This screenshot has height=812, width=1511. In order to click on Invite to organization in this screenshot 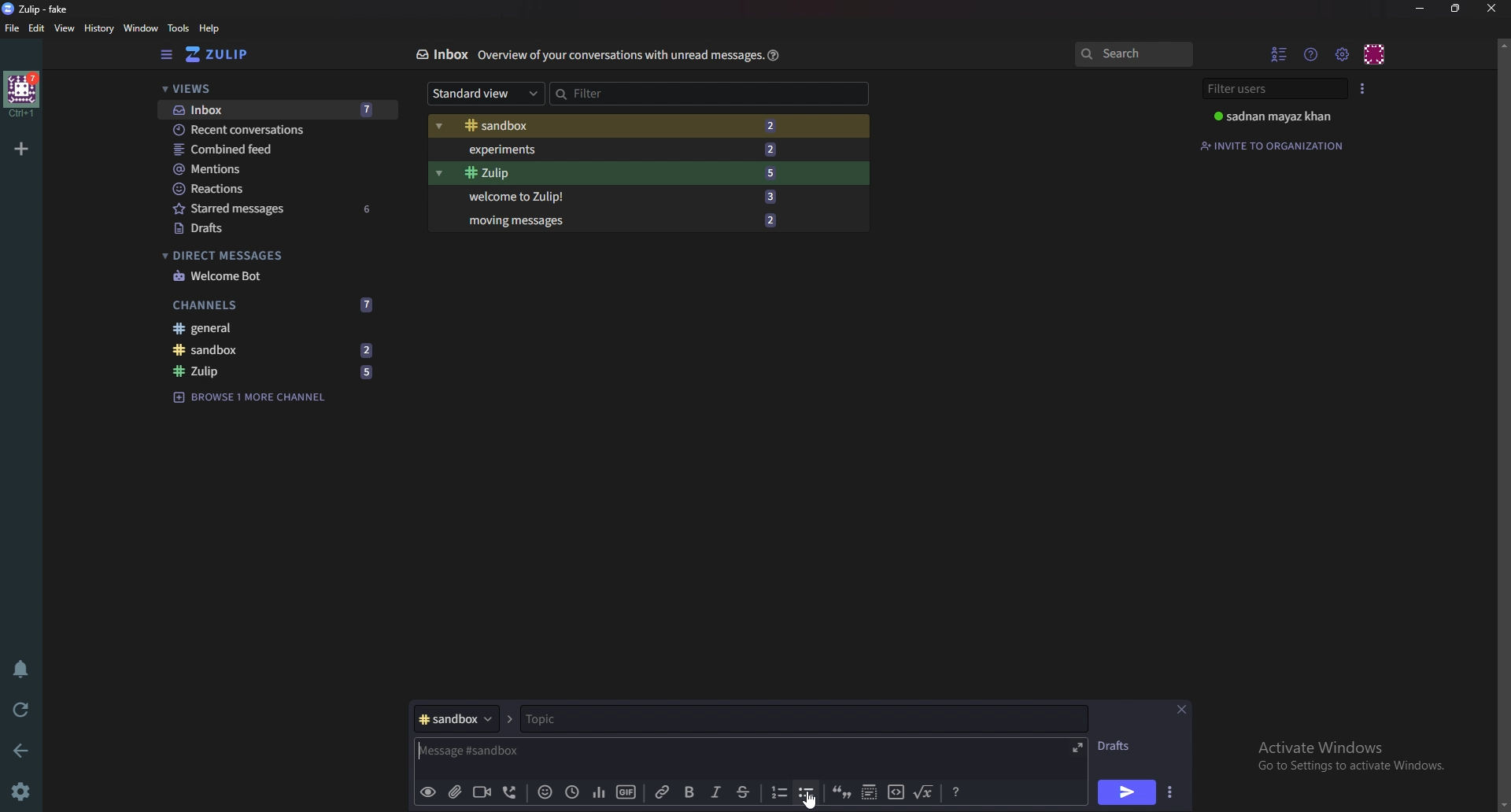, I will do `click(1274, 146)`.